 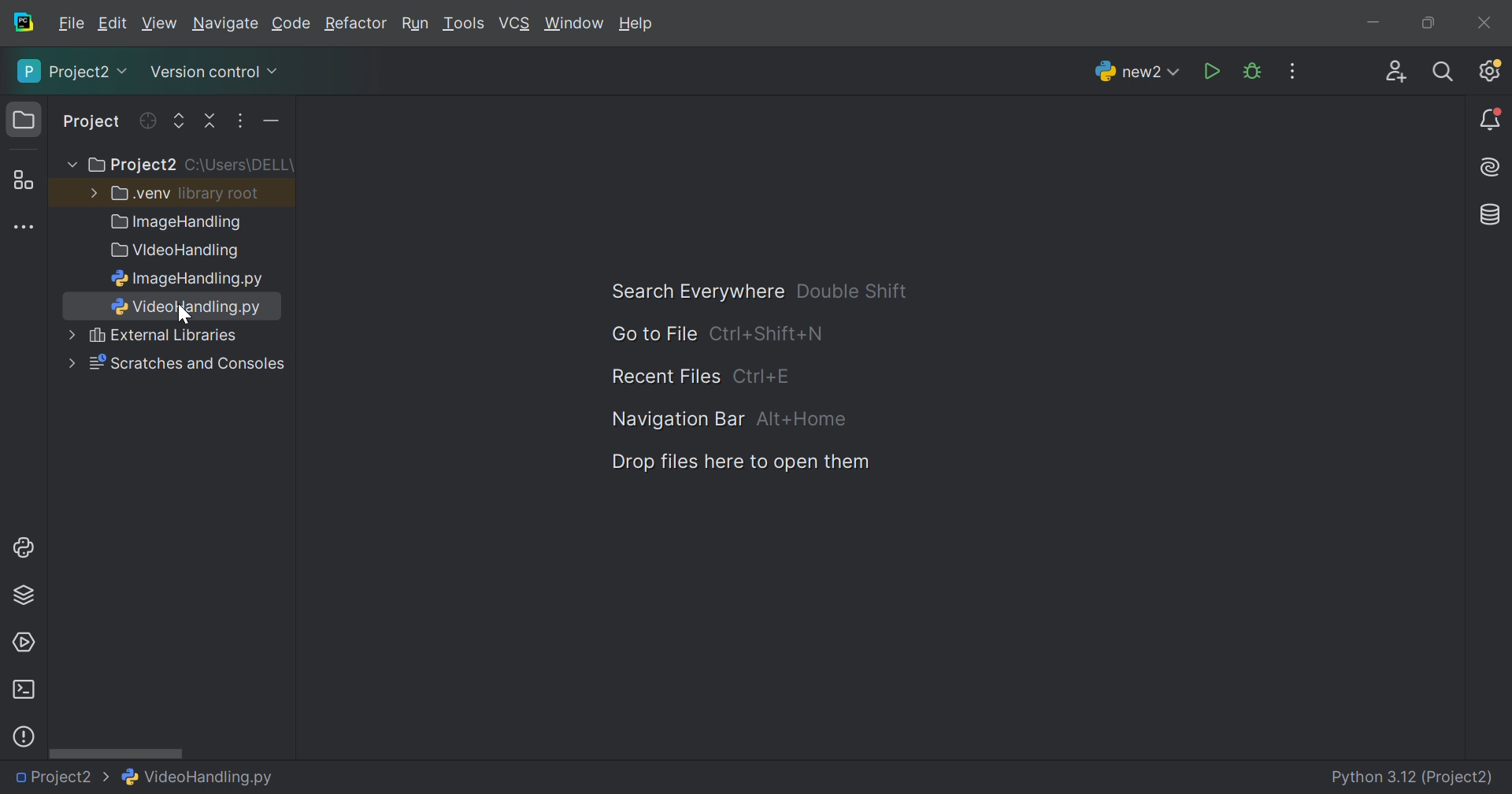 I want to click on VideoHandling, so click(x=178, y=251).